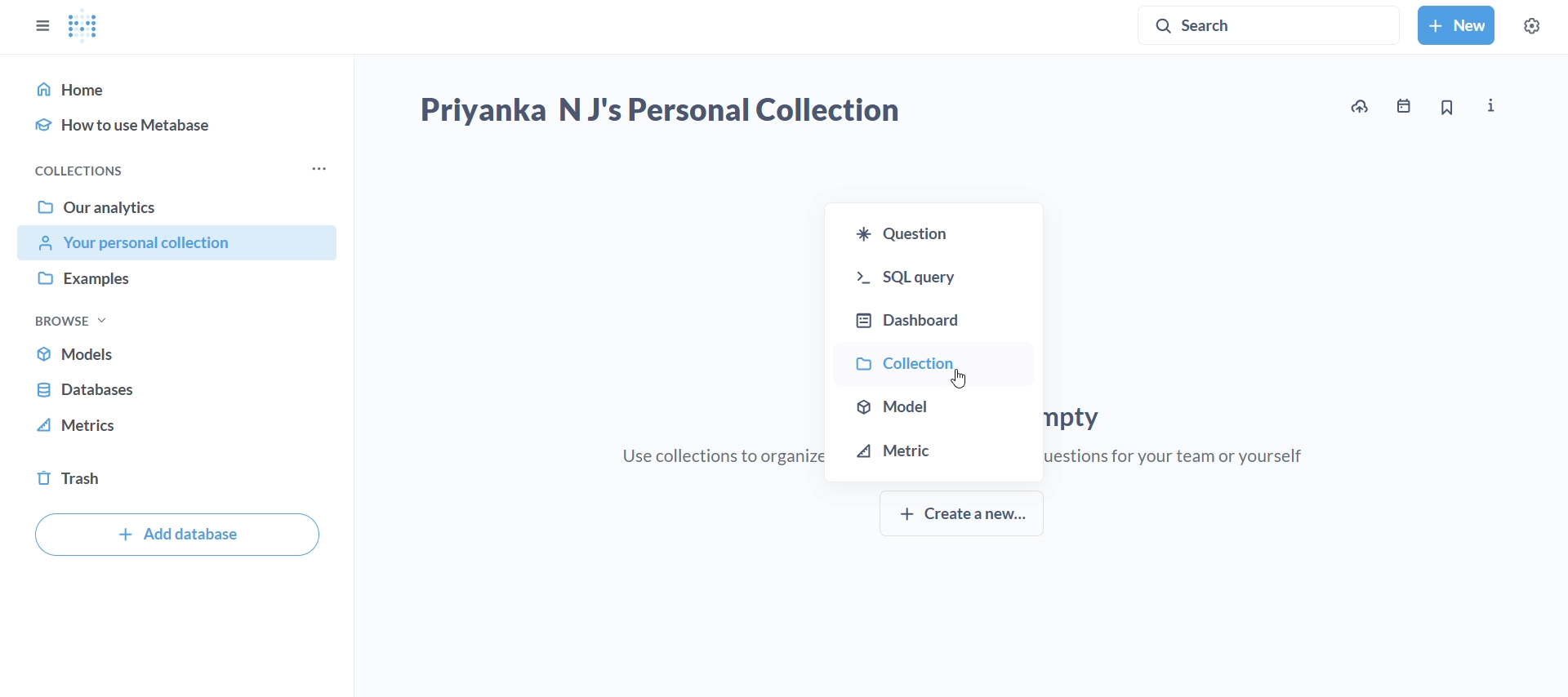 The width and height of the screenshot is (1568, 697). What do you see at coordinates (32, 20) in the screenshot?
I see `close sidebar` at bounding box center [32, 20].